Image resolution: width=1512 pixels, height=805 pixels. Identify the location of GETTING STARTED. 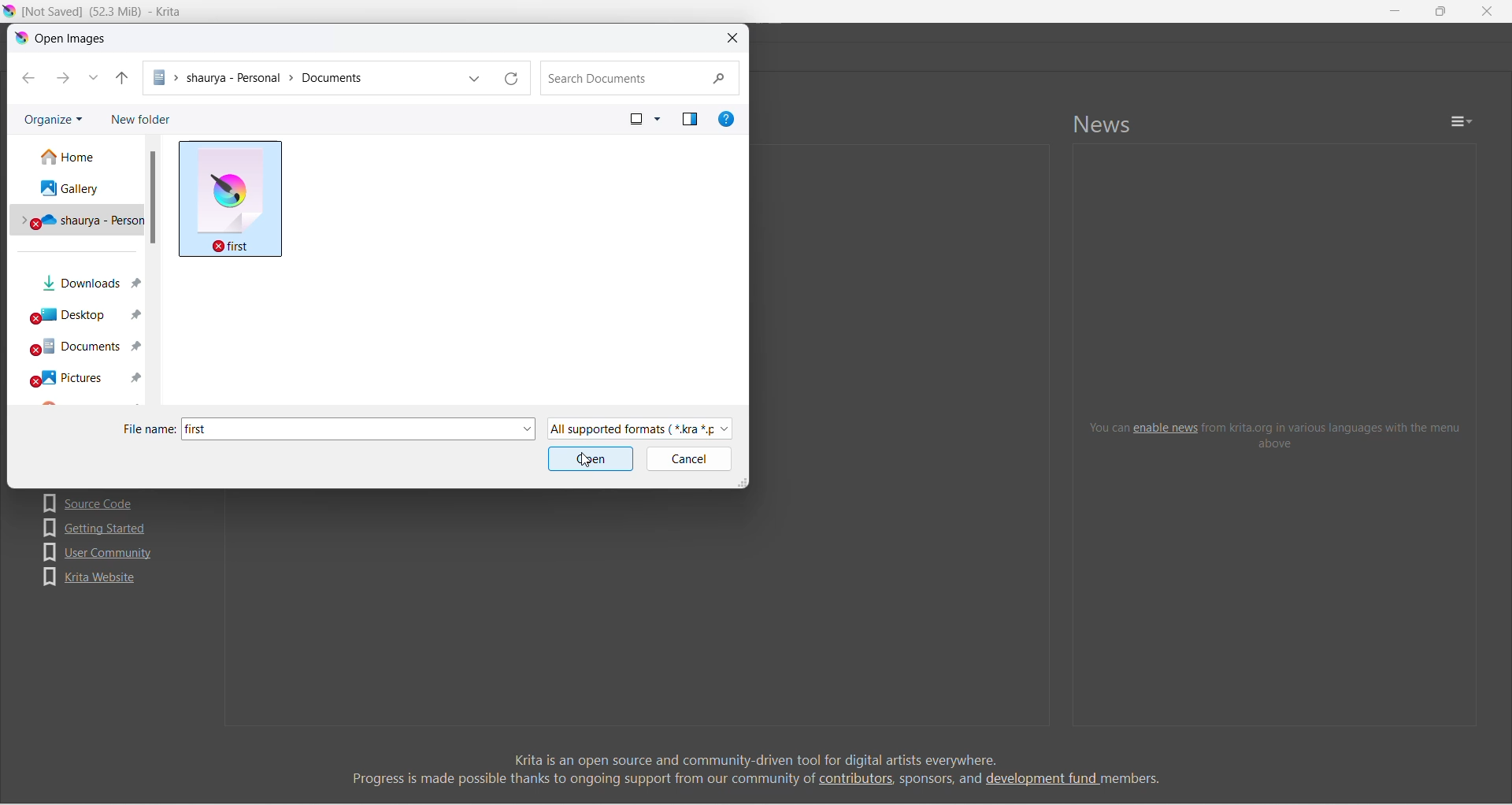
(98, 528).